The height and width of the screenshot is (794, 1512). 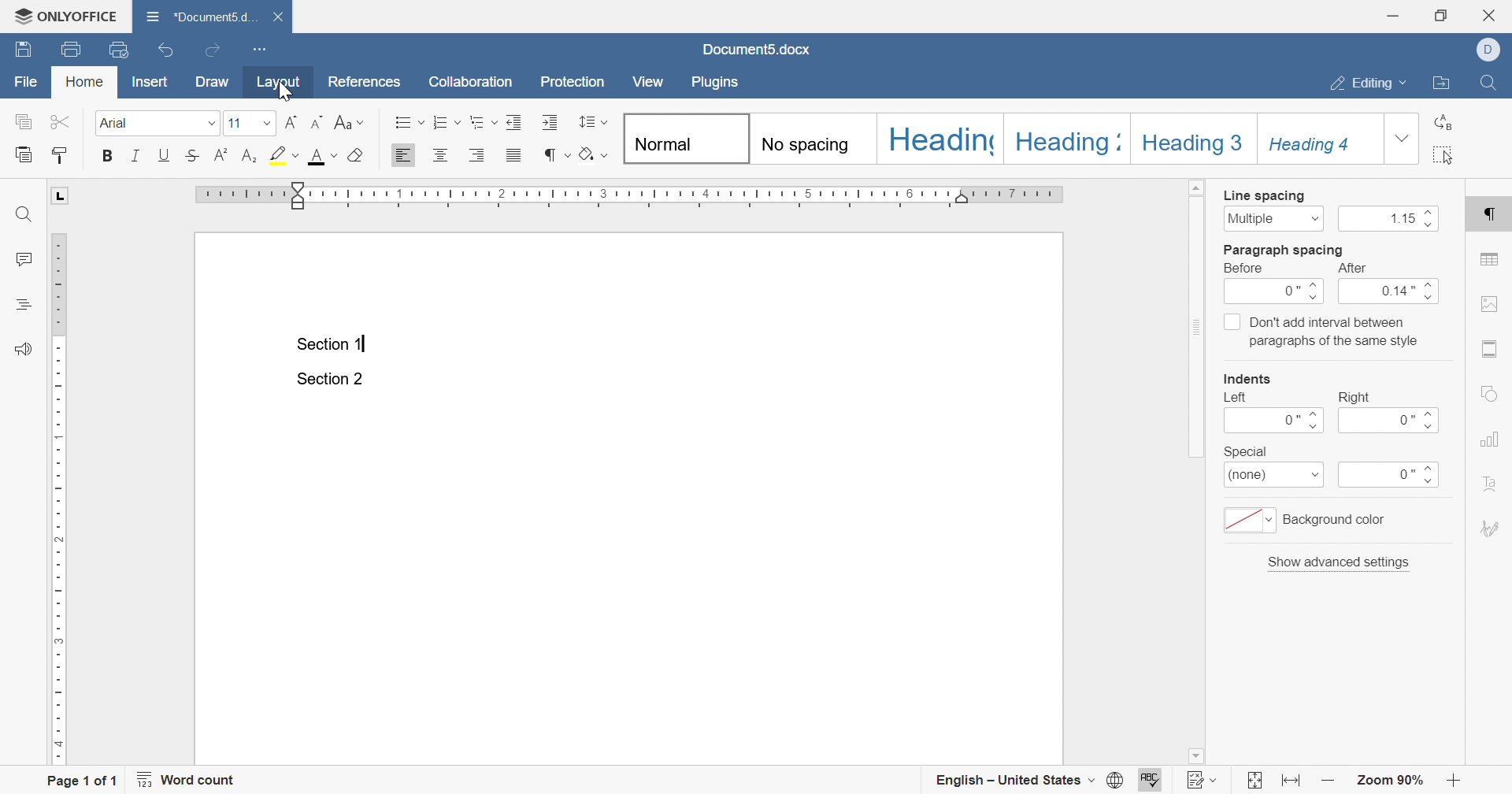 I want to click on scroll bar, so click(x=1198, y=319).